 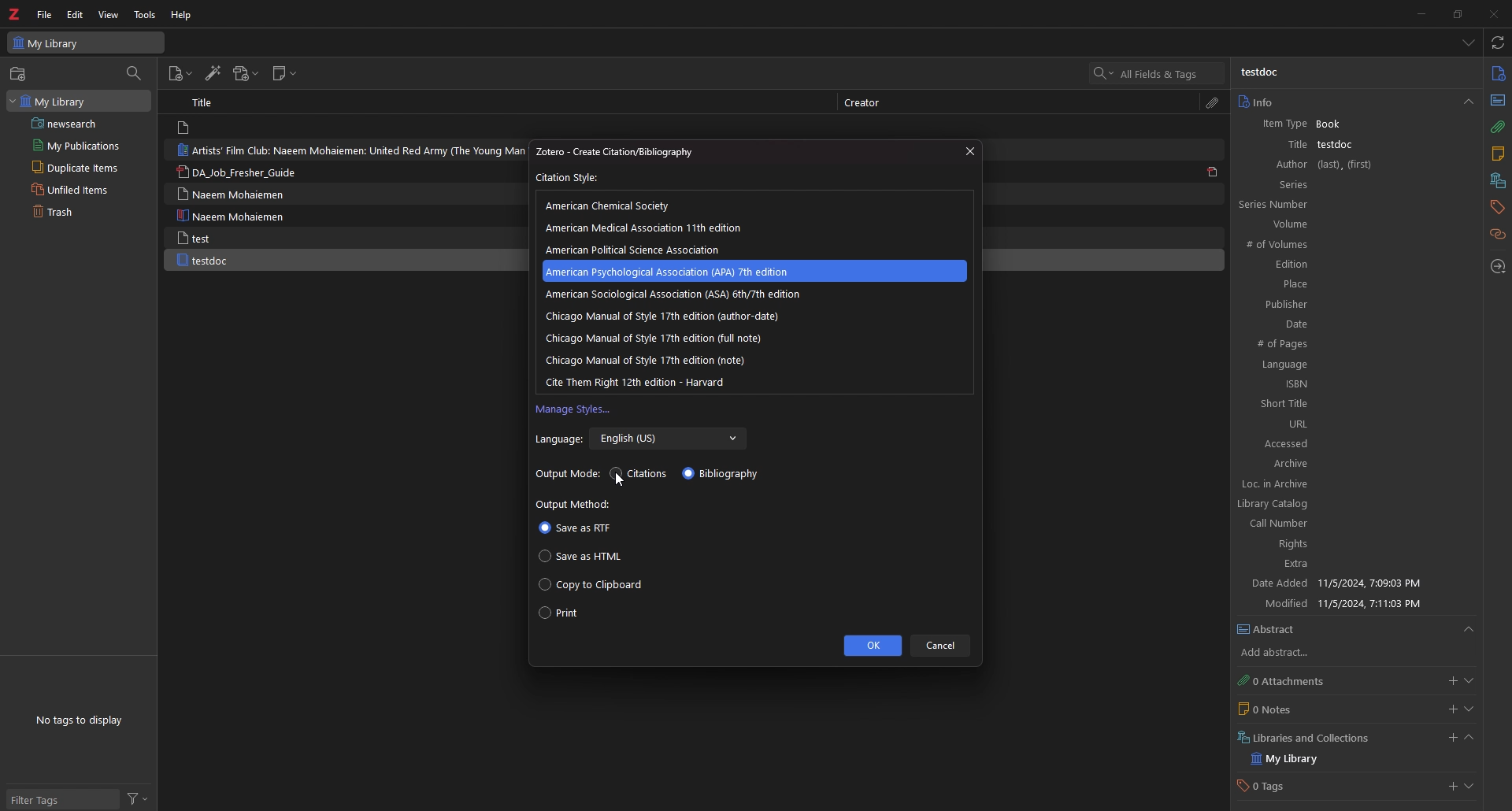 What do you see at coordinates (1213, 103) in the screenshot?
I see `attachment` at bounding box center [1213, 103].